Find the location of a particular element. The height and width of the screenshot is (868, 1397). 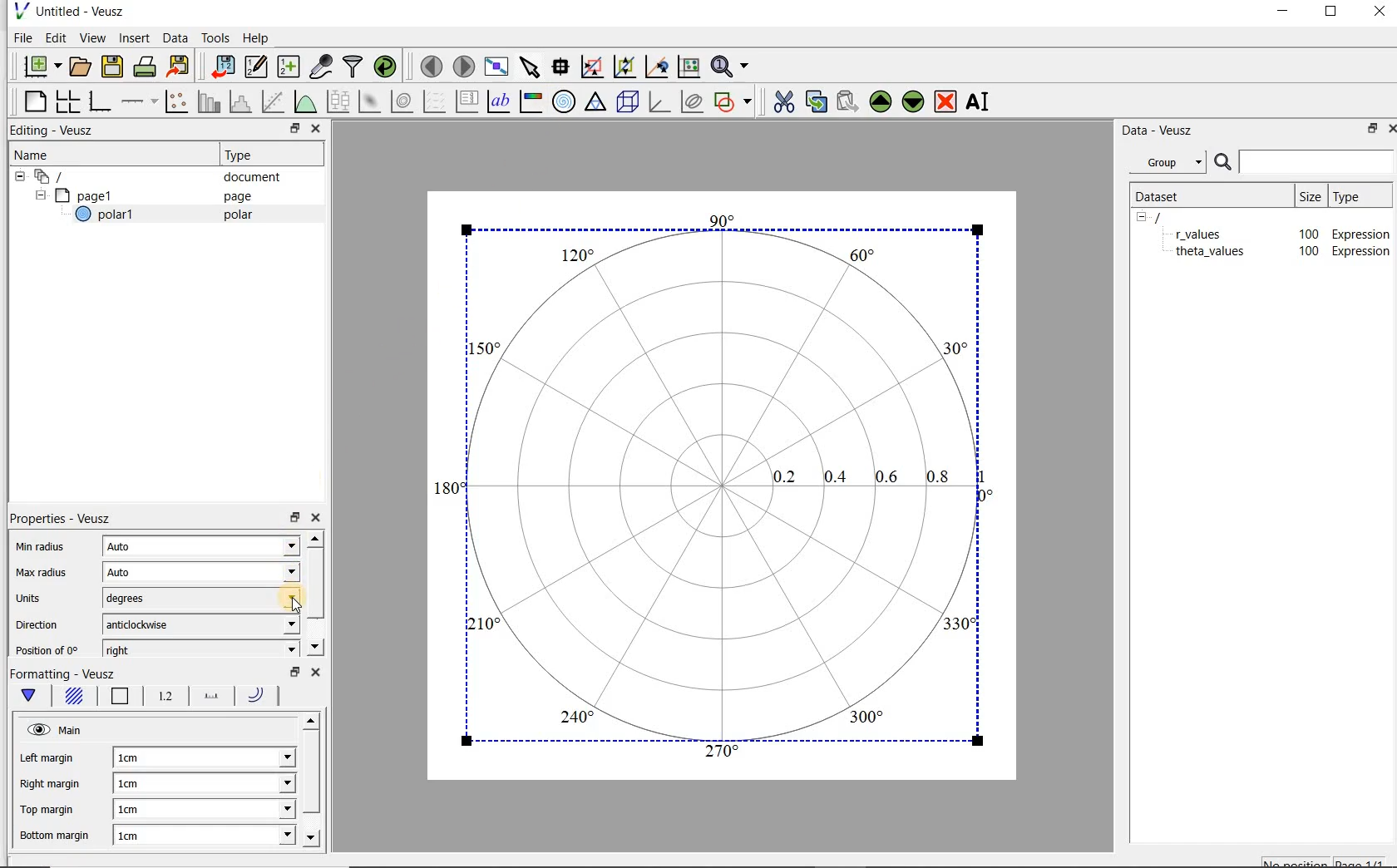

plot a function is located at coordinates (304, 101).